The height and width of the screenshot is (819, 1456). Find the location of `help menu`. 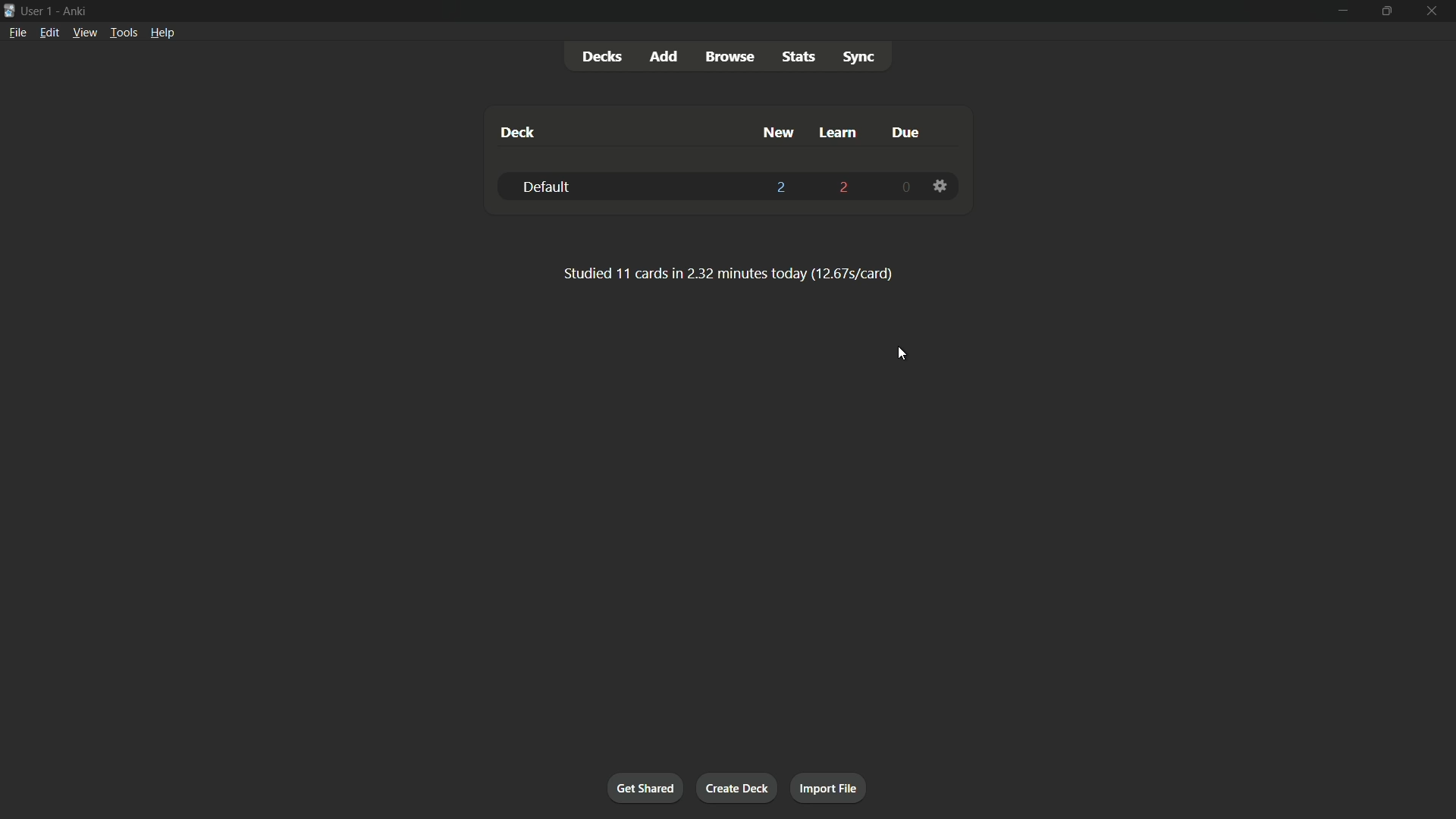

help menu is located at coordinates (163, 33).